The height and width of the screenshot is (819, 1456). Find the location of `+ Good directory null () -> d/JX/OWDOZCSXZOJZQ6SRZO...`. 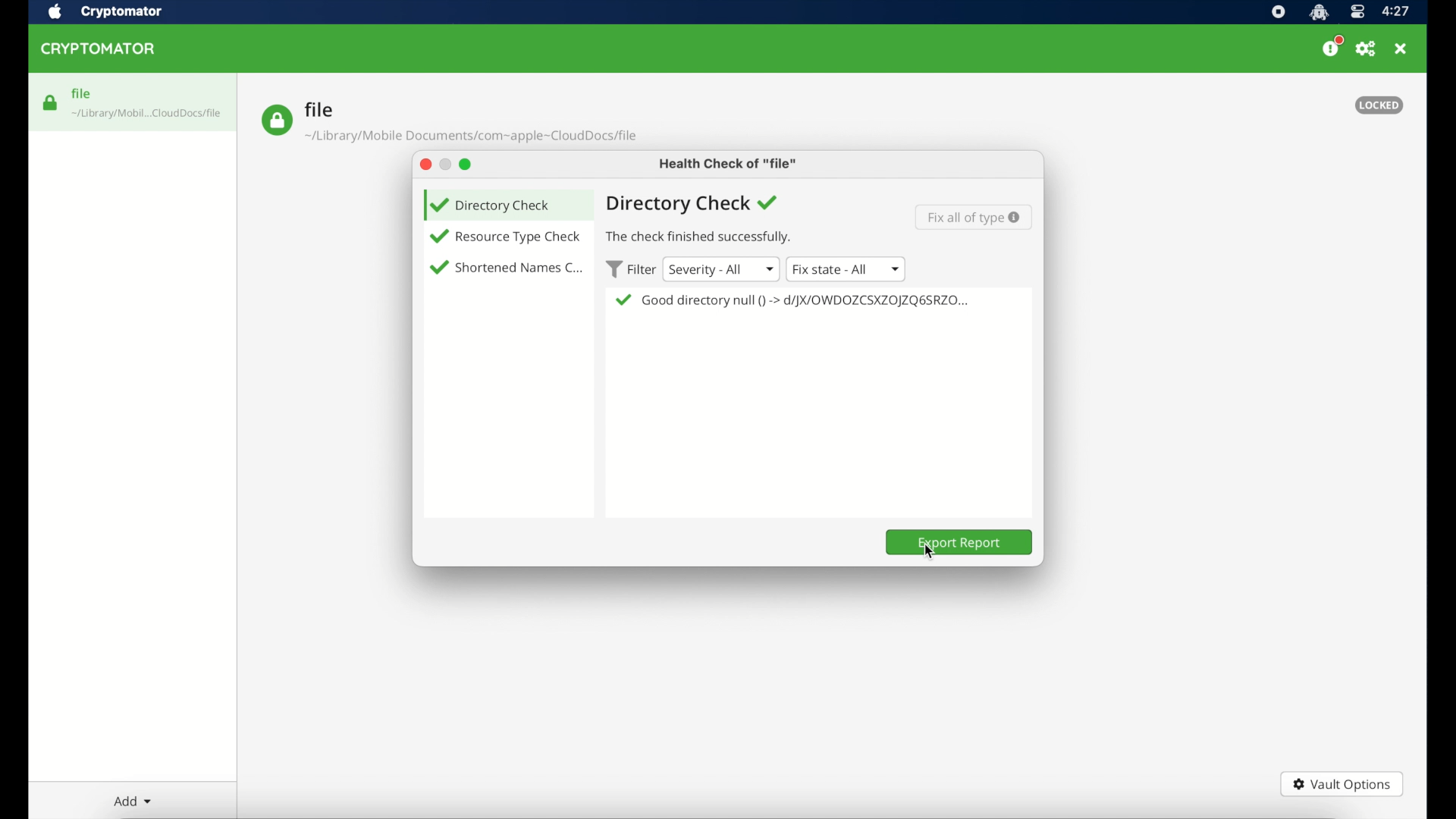

+ Good directory null () -> d/JX/OWDOZCSXZOJZQ6SRZO... is located at coordinates (796, 301).